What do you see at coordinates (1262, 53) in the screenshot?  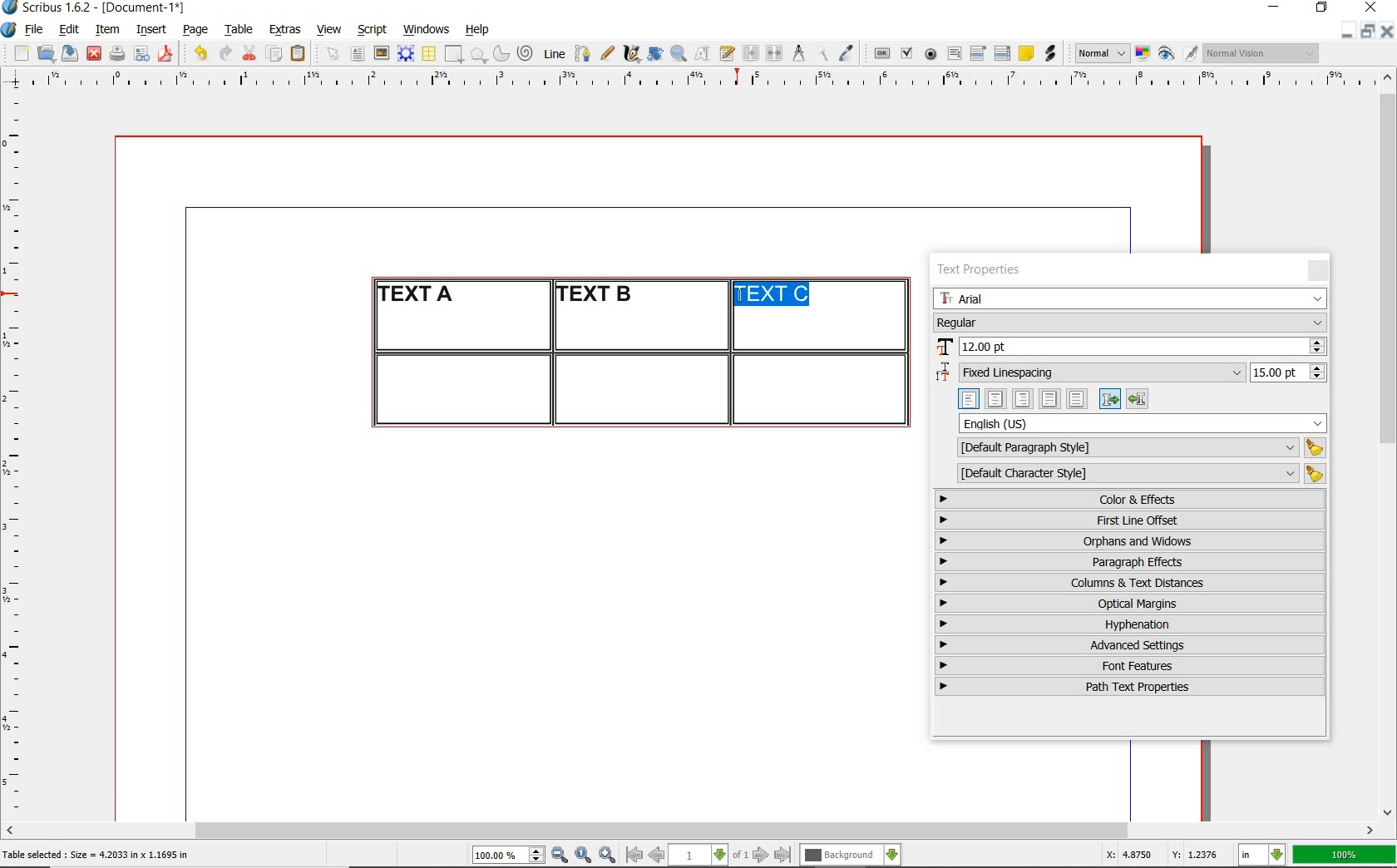 I see `visual appearance of the display` at bounding box center [1262, 53].